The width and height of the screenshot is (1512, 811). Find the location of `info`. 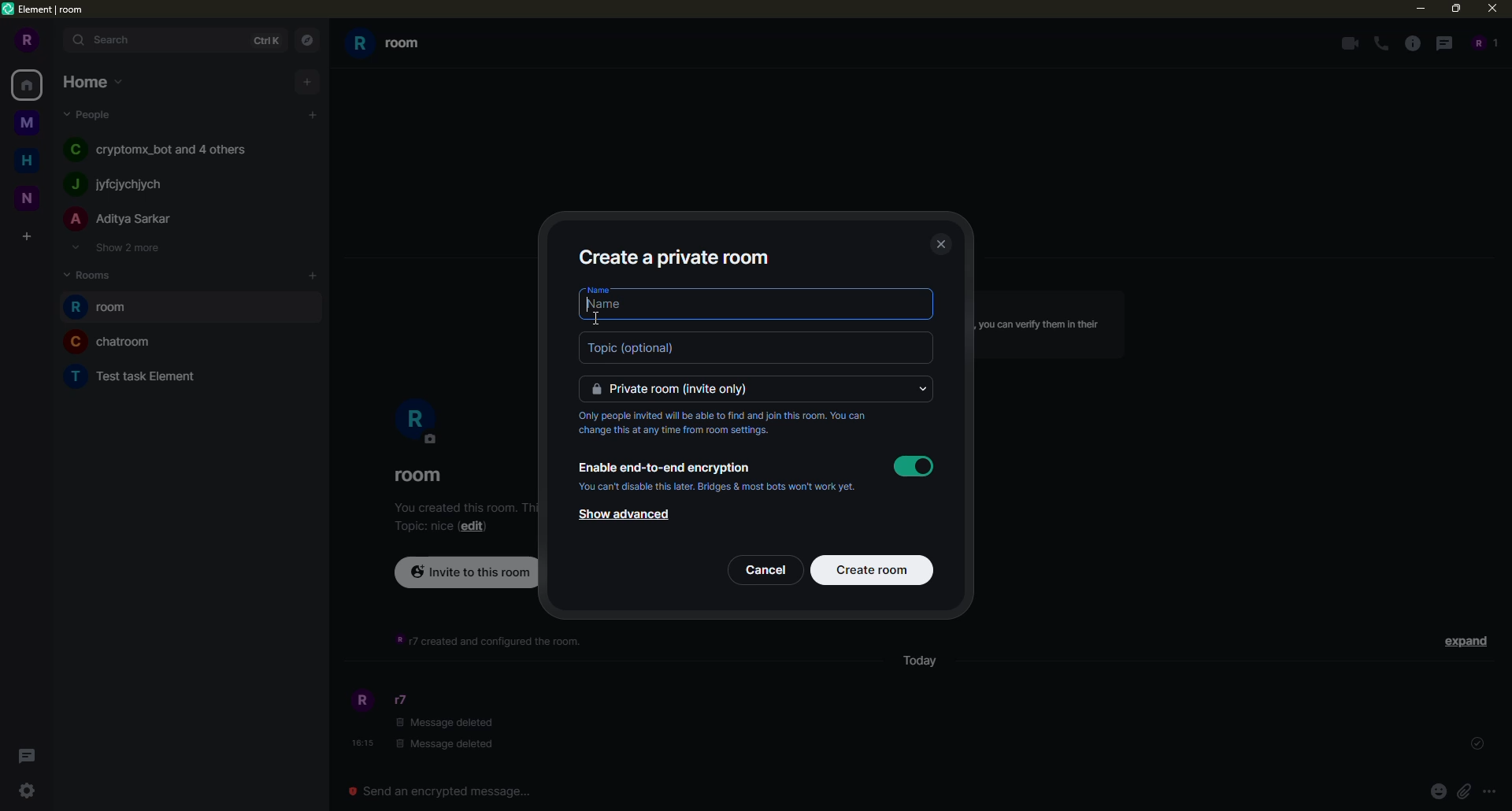

info is located at coordinates (460, 505).